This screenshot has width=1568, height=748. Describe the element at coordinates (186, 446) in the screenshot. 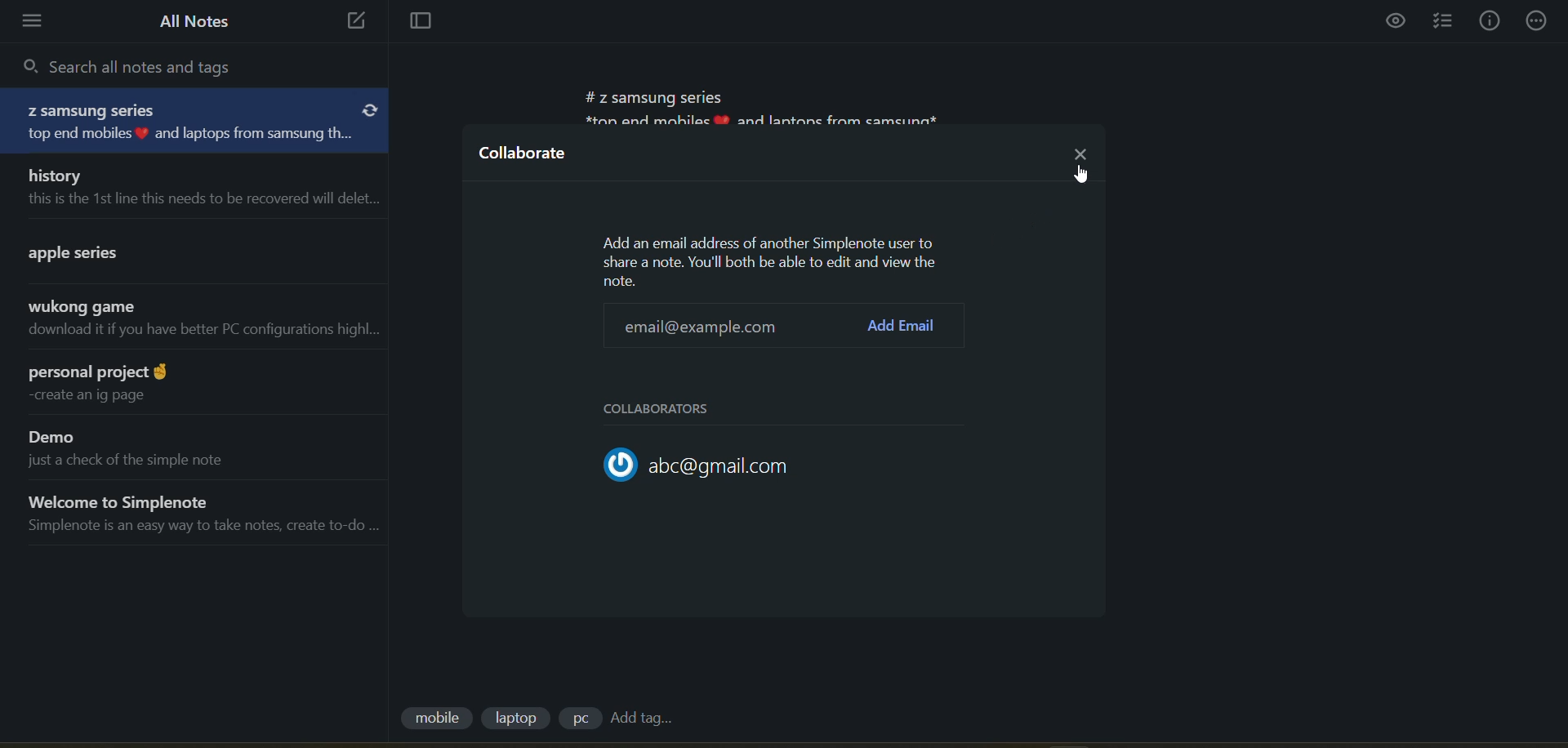

I see `note title and preview` at that location.